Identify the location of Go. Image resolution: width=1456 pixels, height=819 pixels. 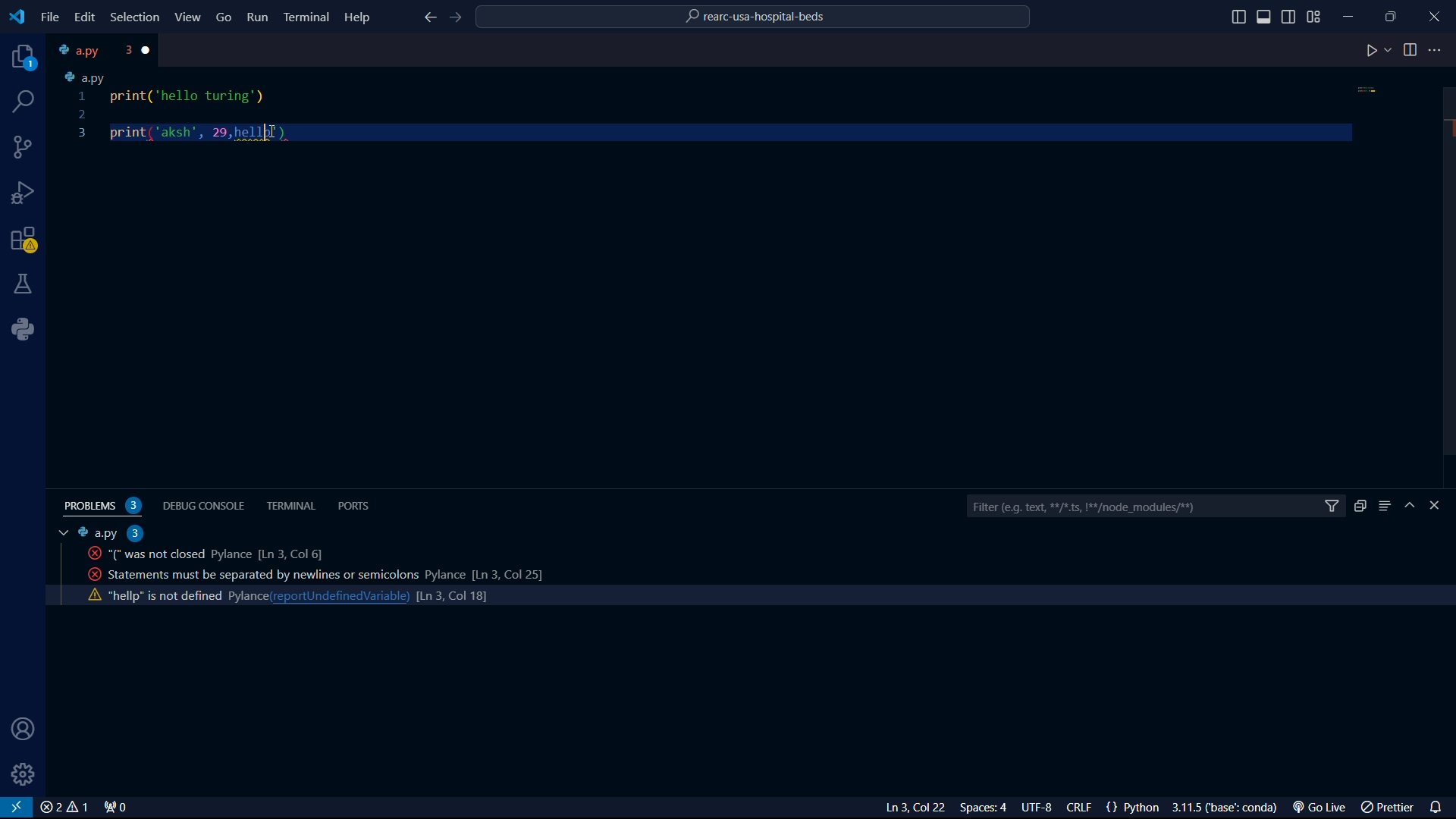
(224, 16).